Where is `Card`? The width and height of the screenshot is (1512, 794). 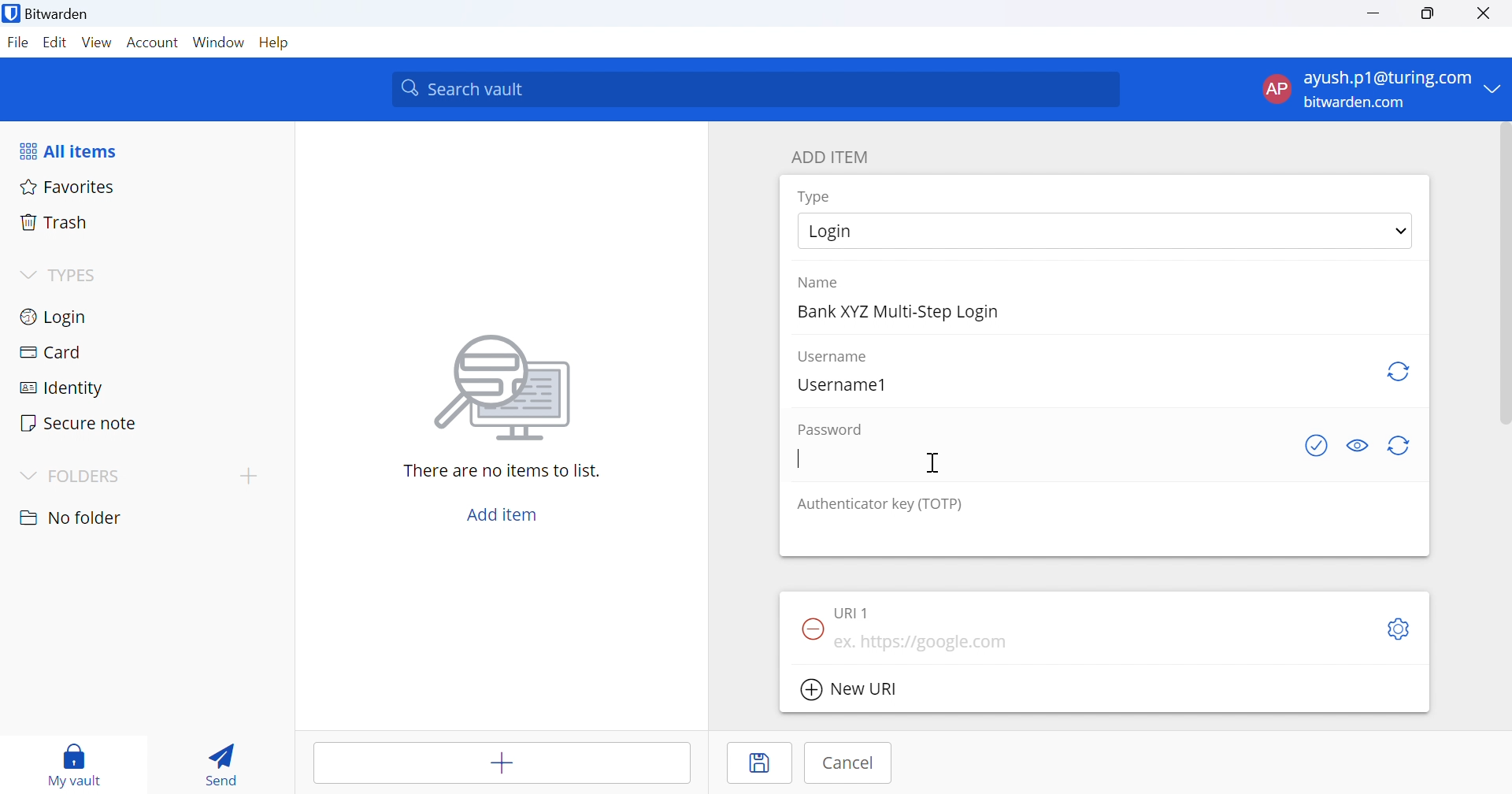 Card is located at coordinates (51, 351).